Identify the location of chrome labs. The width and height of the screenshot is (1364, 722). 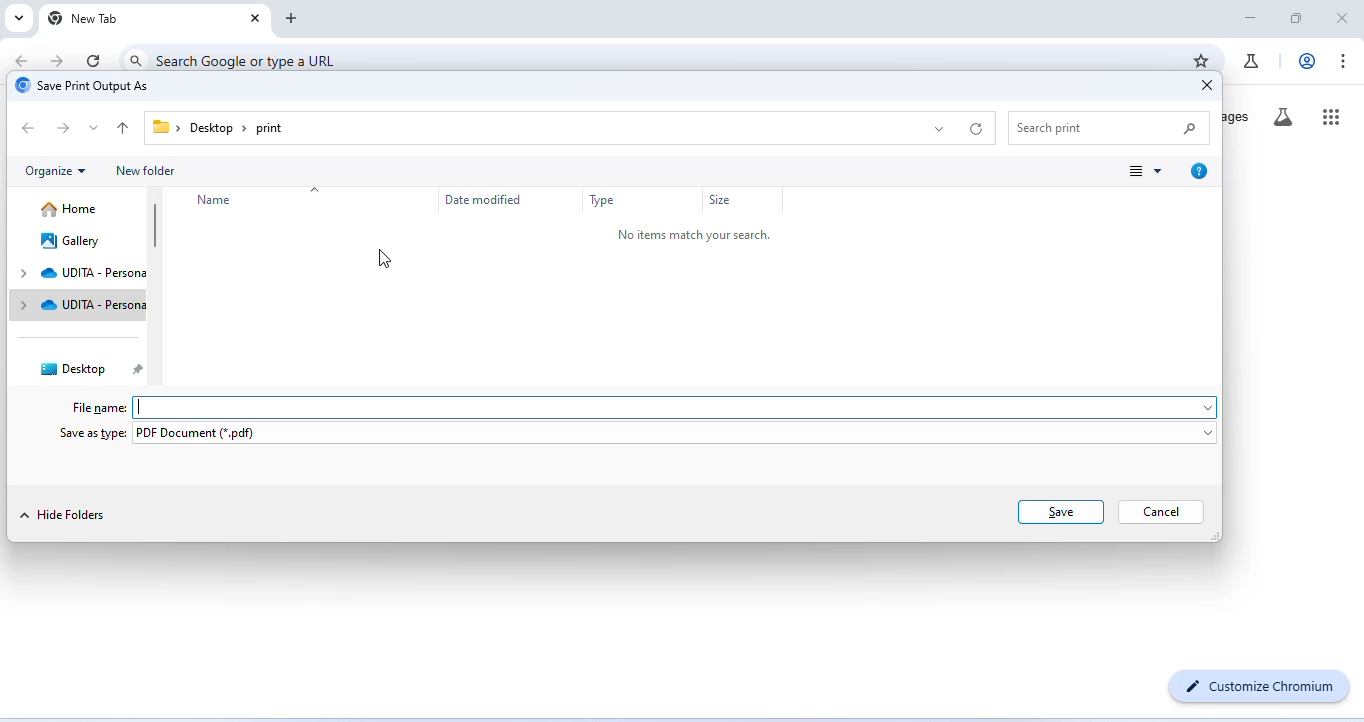
(1251, 61).